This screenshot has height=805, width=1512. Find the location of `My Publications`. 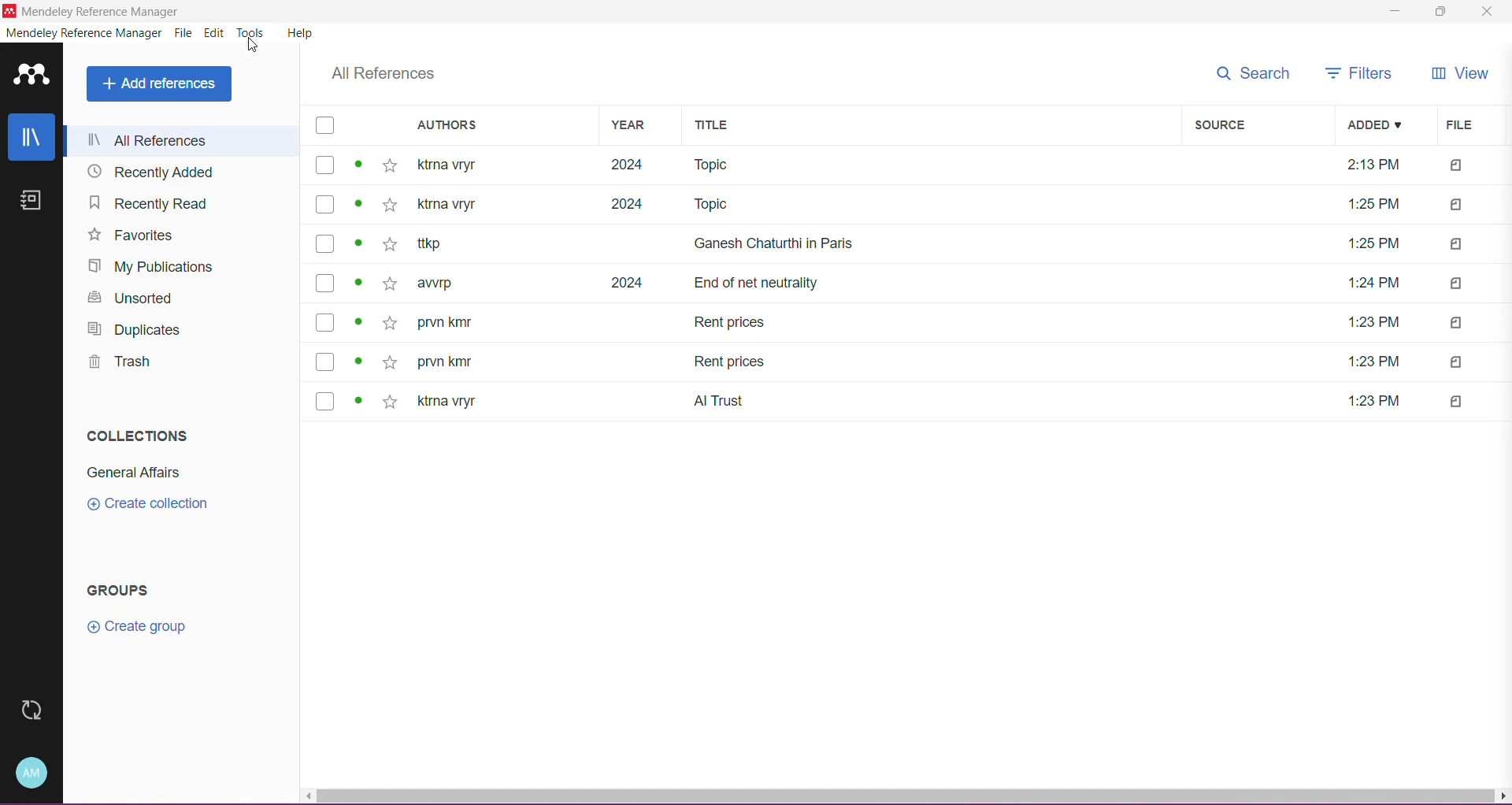

My Publications is located at coordinates (152, 266).